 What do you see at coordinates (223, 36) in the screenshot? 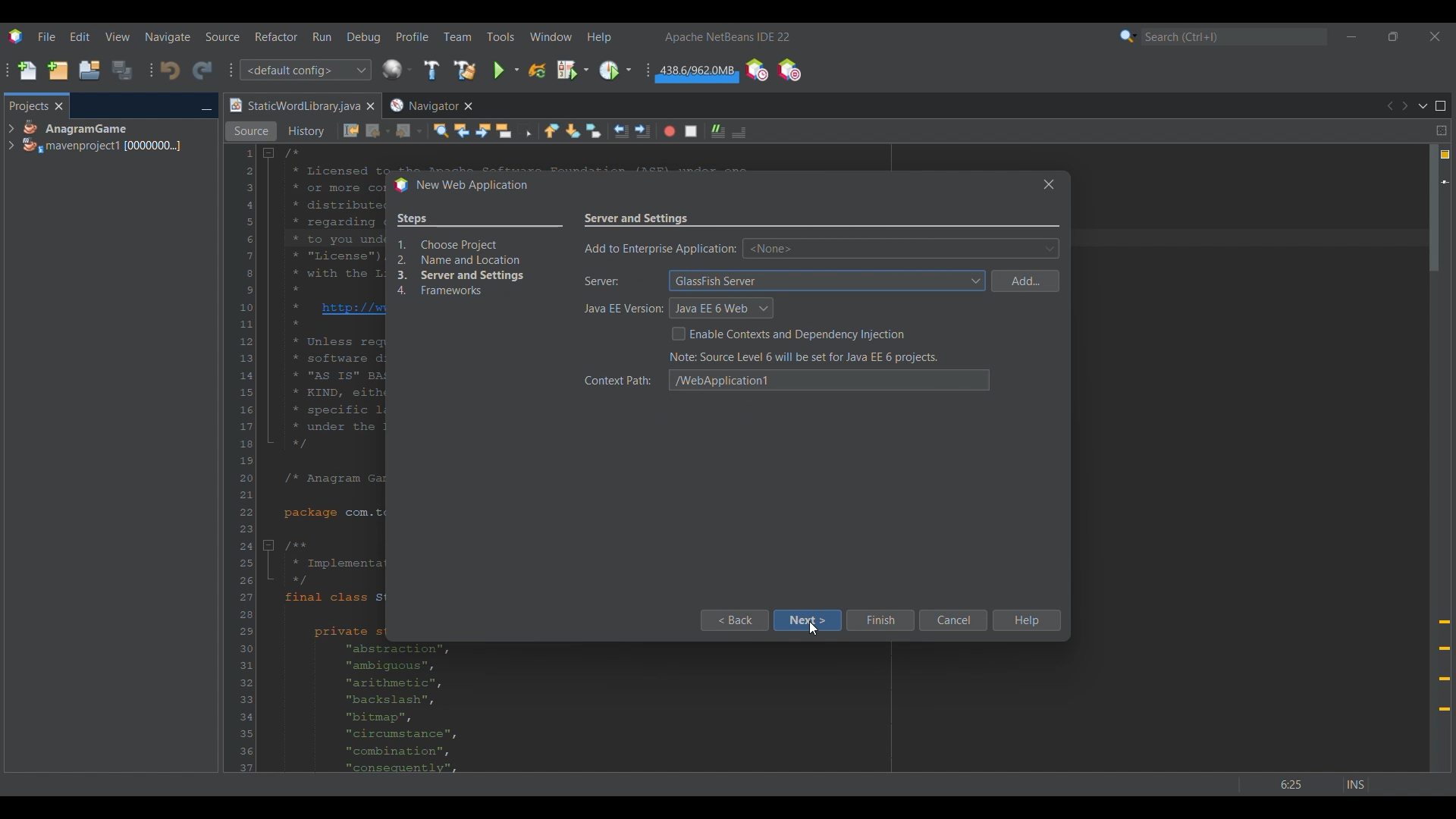
I see `Source menu` at bounding box center [223, 36].